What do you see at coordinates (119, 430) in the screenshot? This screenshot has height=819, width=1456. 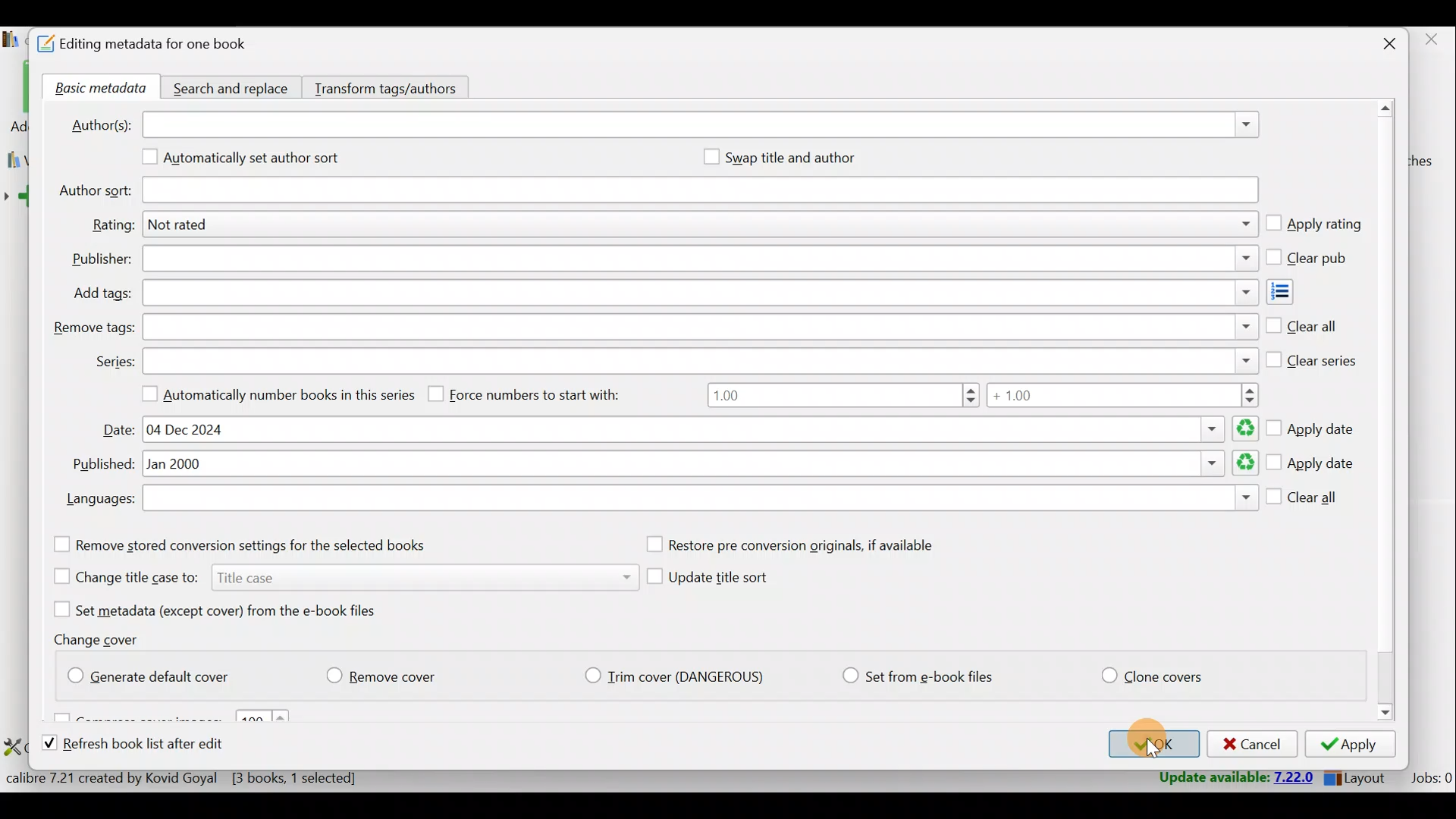 I see `Date:` at bounding box center [119, 430].